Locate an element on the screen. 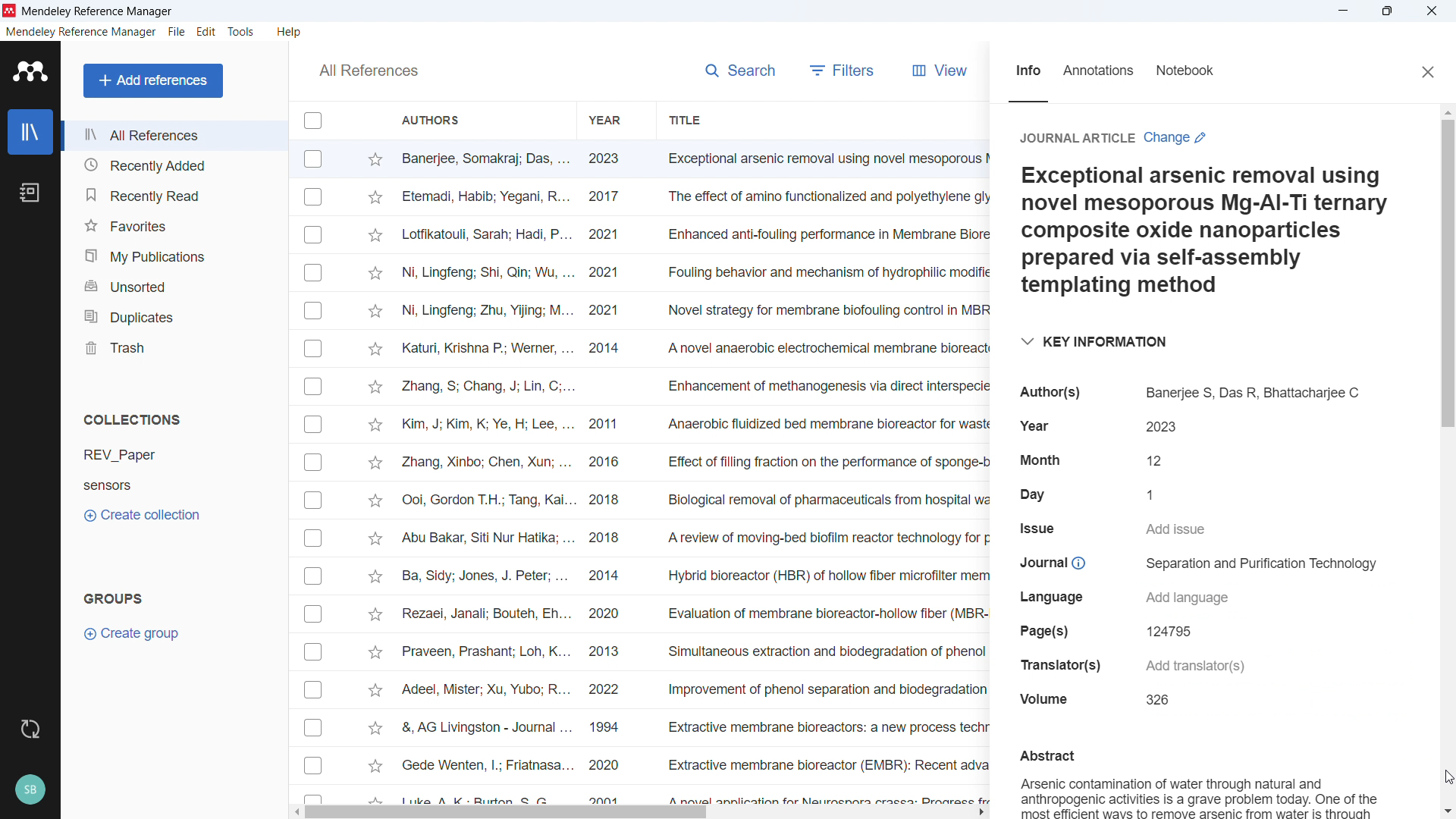  volume is located at coordinates (1049, 701).